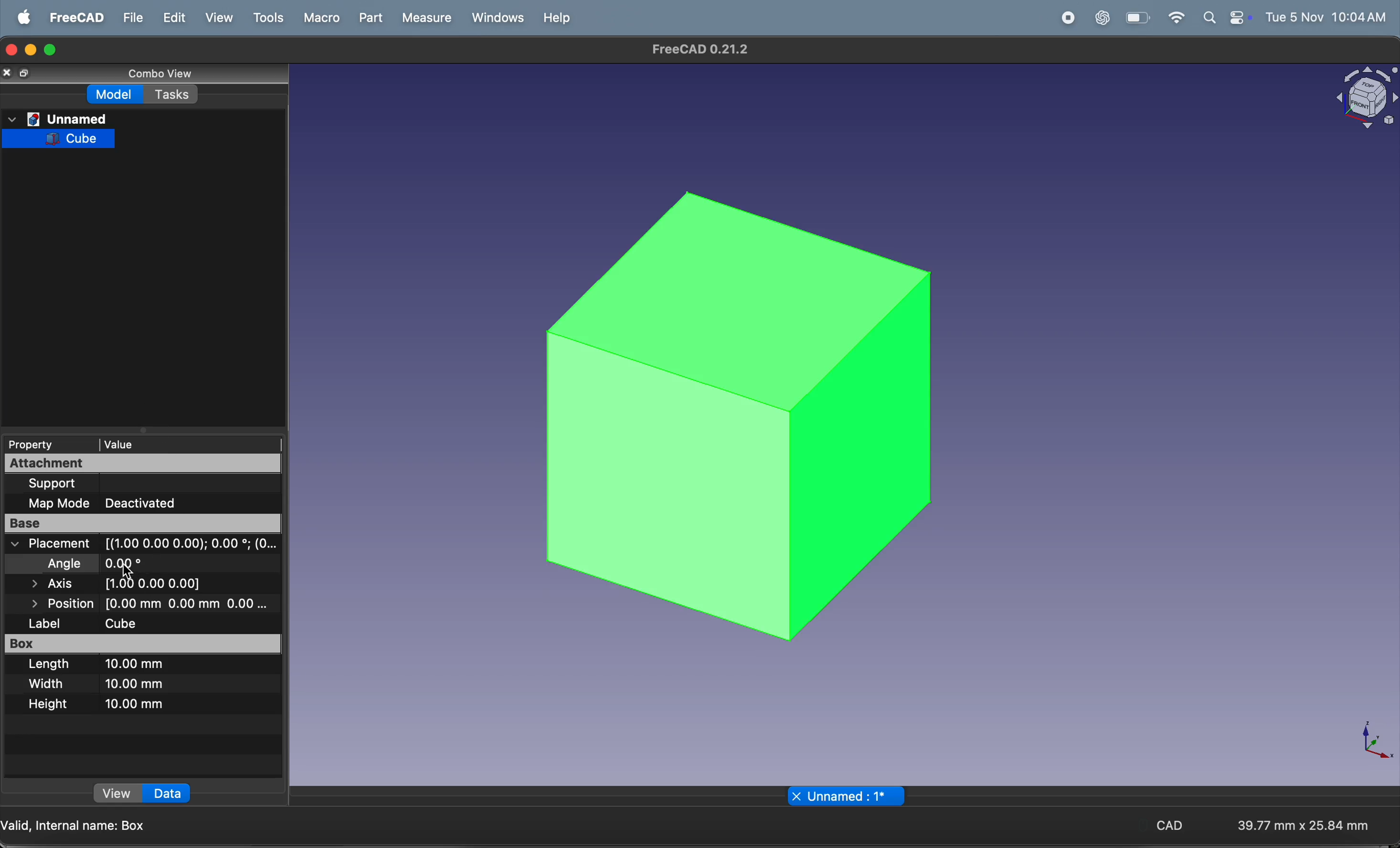 This screenshot has width=1400, height=848. What do you see at coordinates (559, 18) in the screenshot?
I see `help` at bounding box center [559, 18].